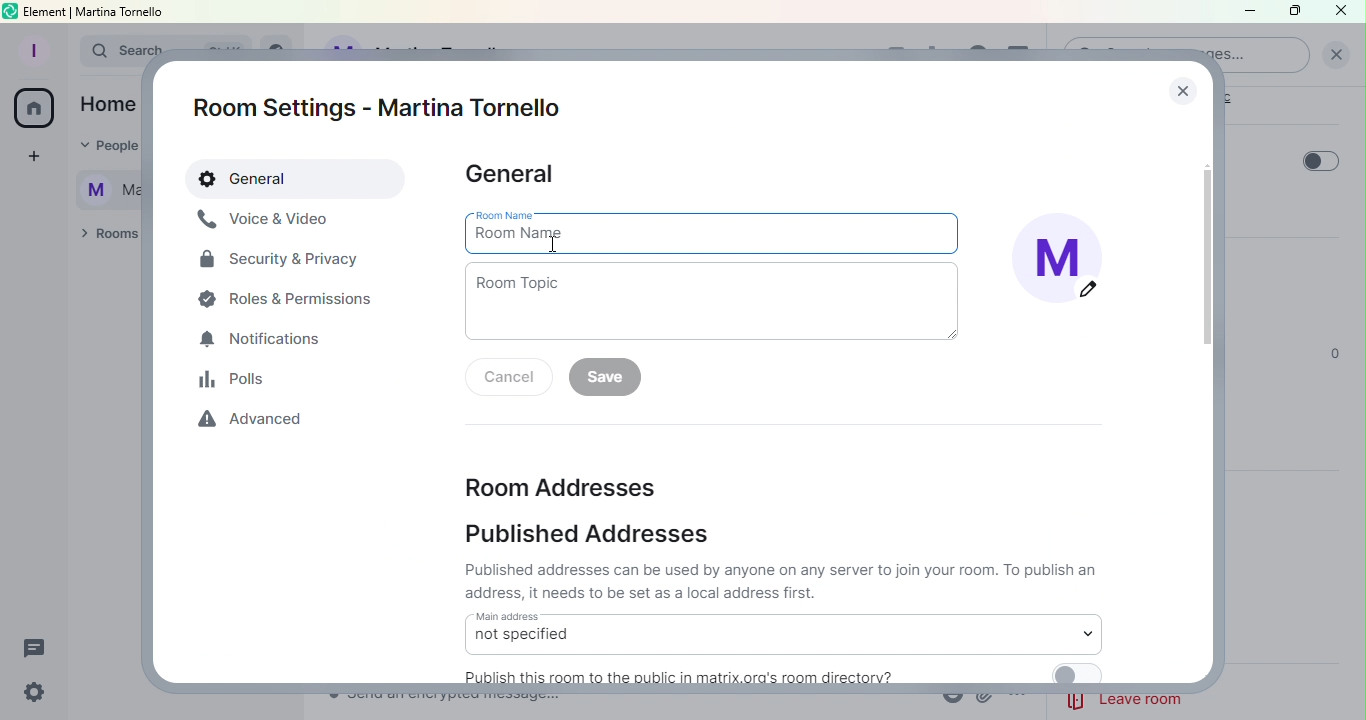  What do you see at coordinates (513, 379) in the screenshot?
I see `Cancel` at bounding box center [513, 379].